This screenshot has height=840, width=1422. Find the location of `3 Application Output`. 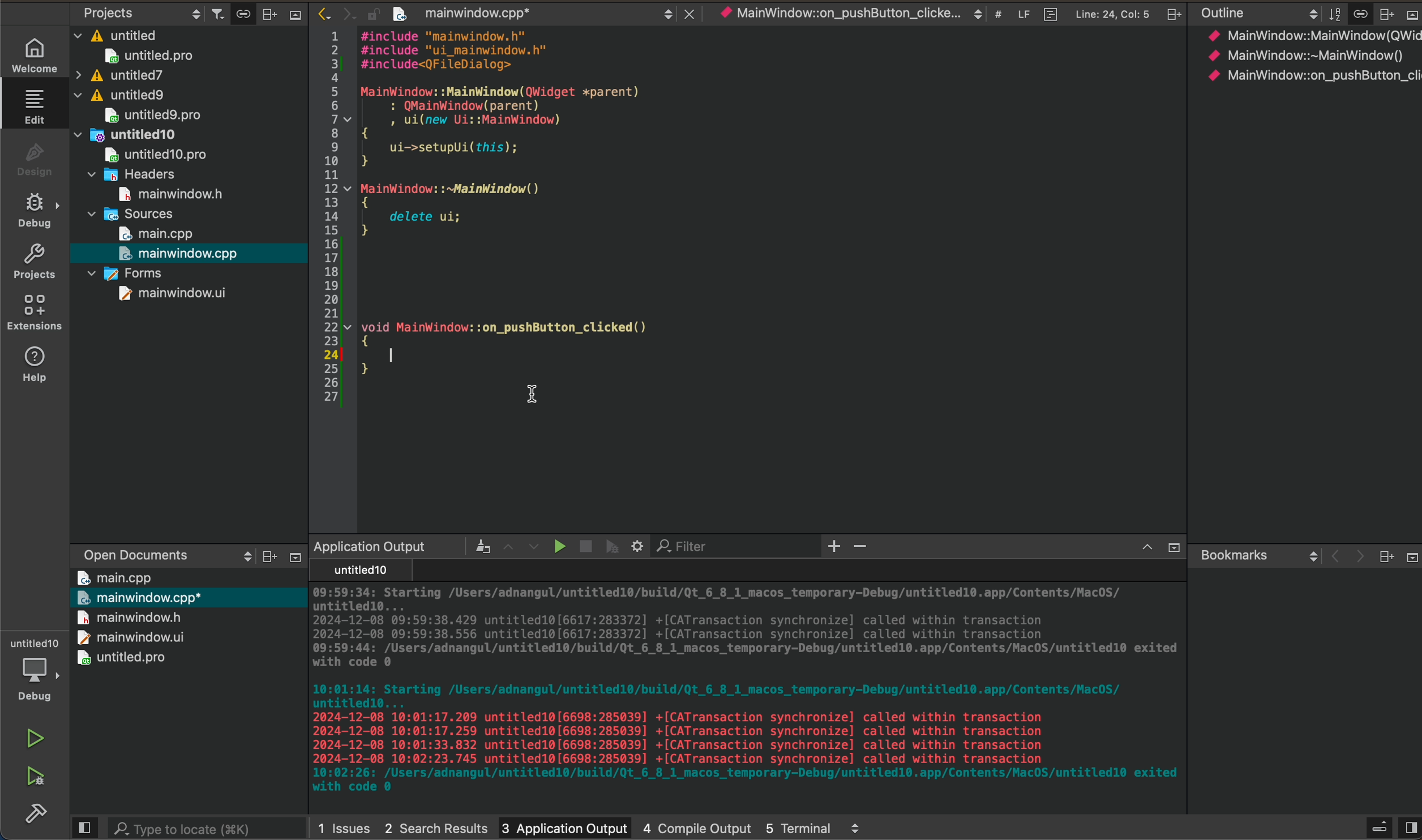

3 Application Output is located at coordinates (563, 825).